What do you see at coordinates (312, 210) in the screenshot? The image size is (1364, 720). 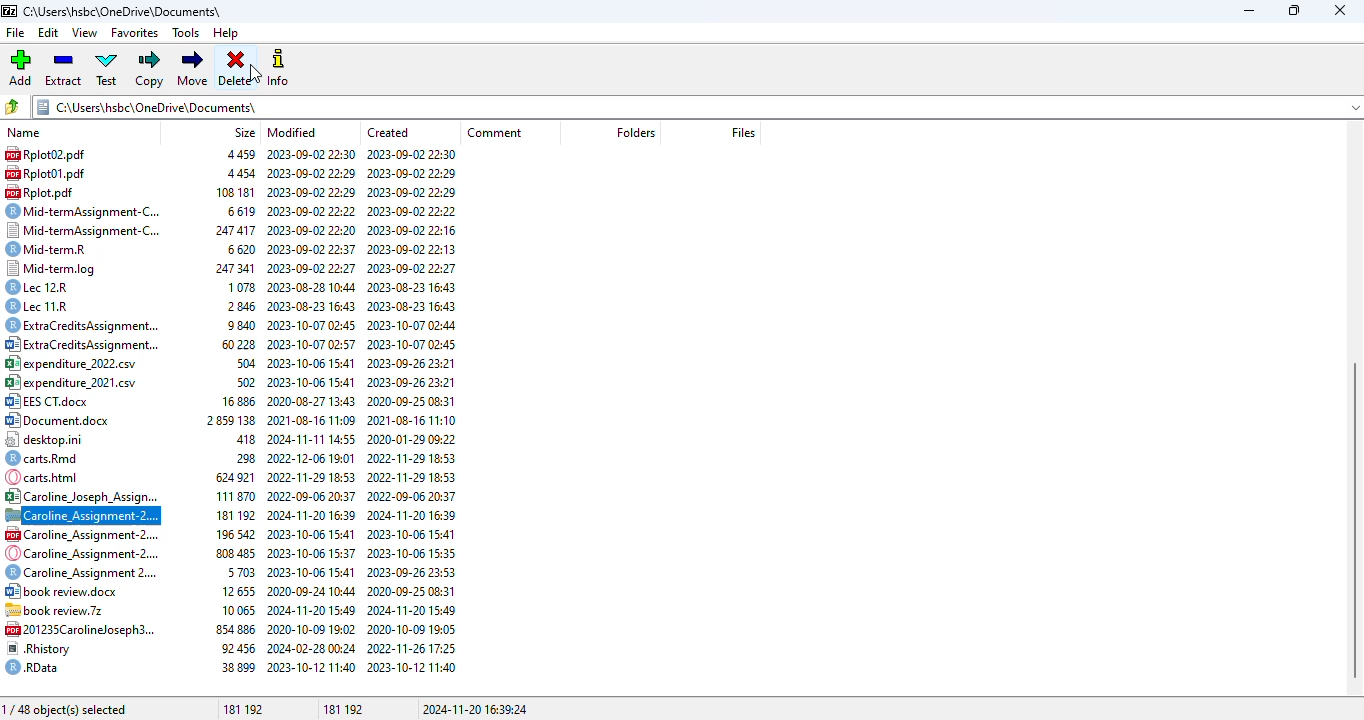 I see `2023-09-02 22:22` at bounding box center [312, 210].